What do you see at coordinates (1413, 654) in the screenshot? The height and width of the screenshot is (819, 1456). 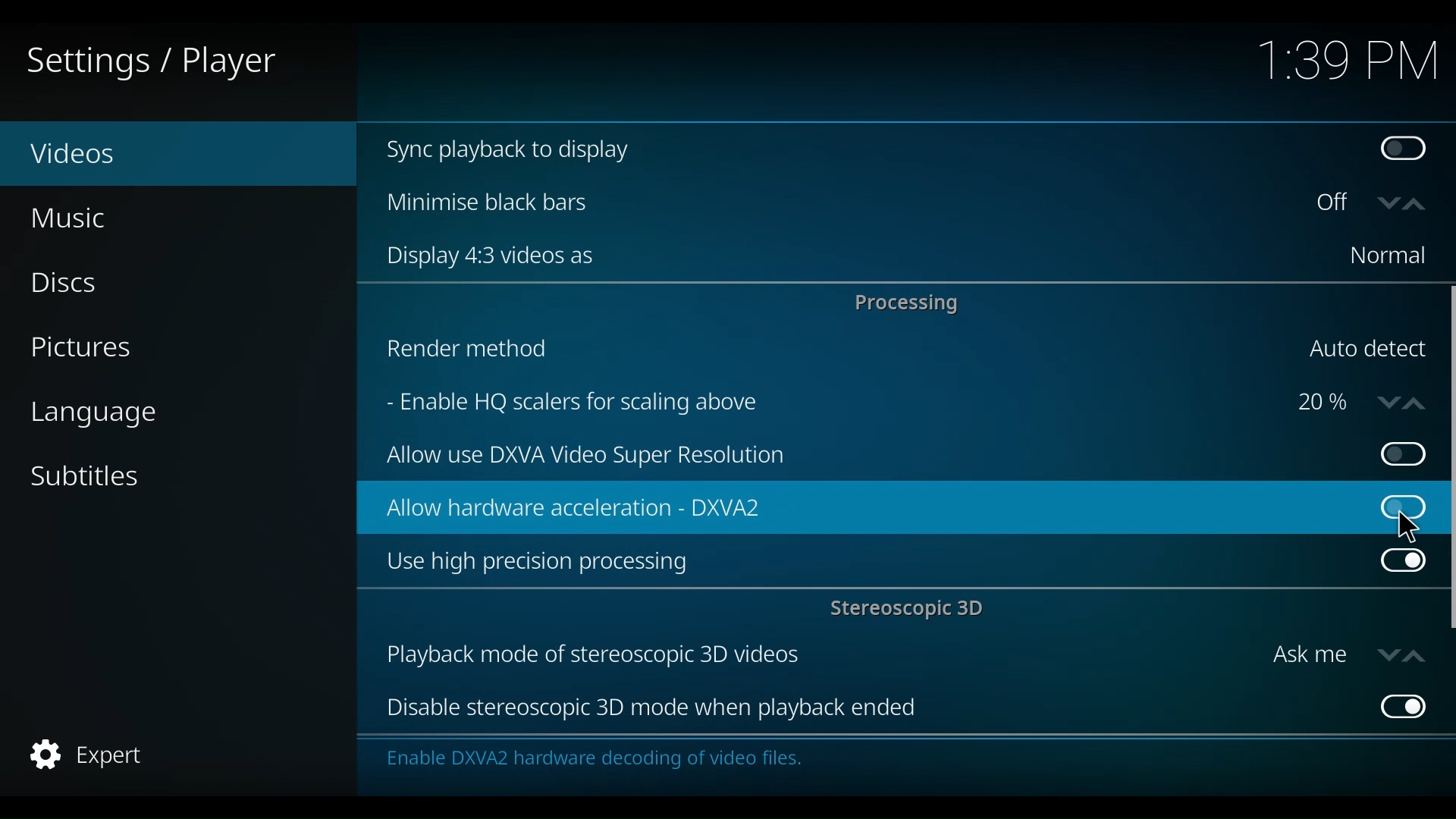 I see `up` at bounding box center [1413, 654].